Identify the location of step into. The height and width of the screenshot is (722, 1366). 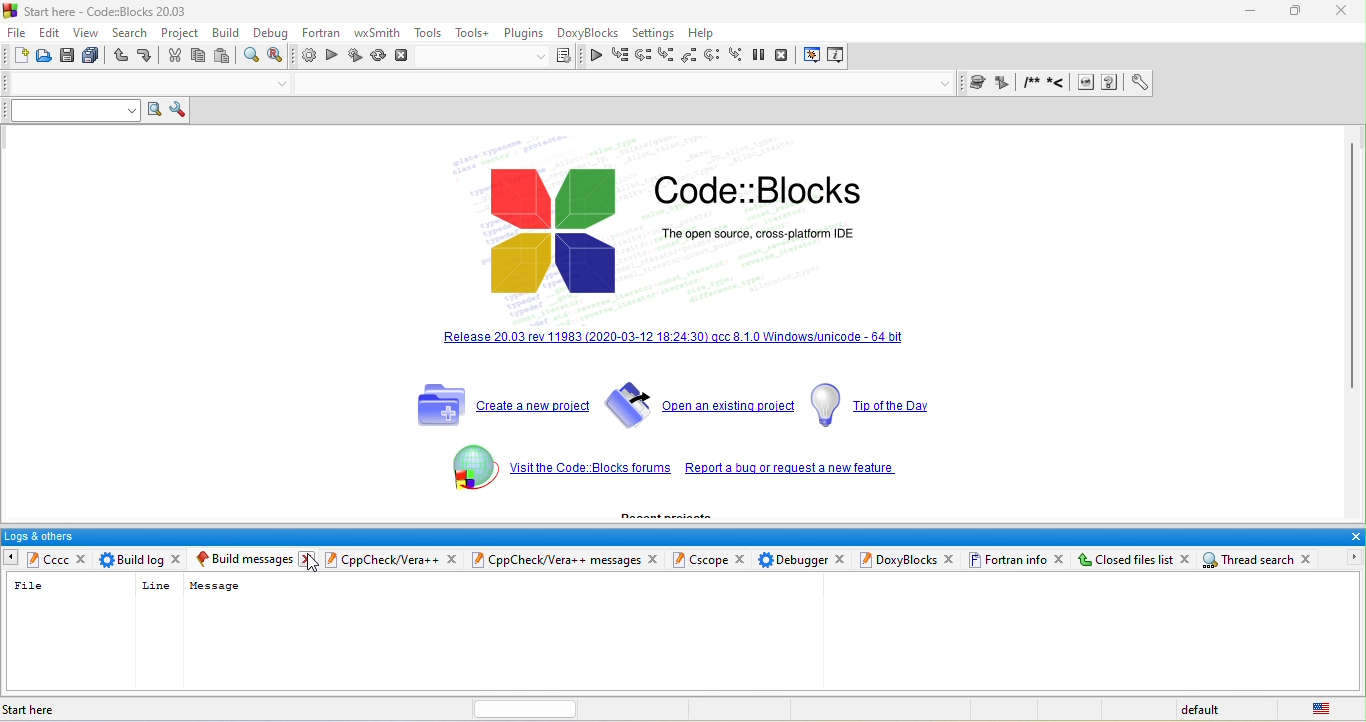
(665, 54).